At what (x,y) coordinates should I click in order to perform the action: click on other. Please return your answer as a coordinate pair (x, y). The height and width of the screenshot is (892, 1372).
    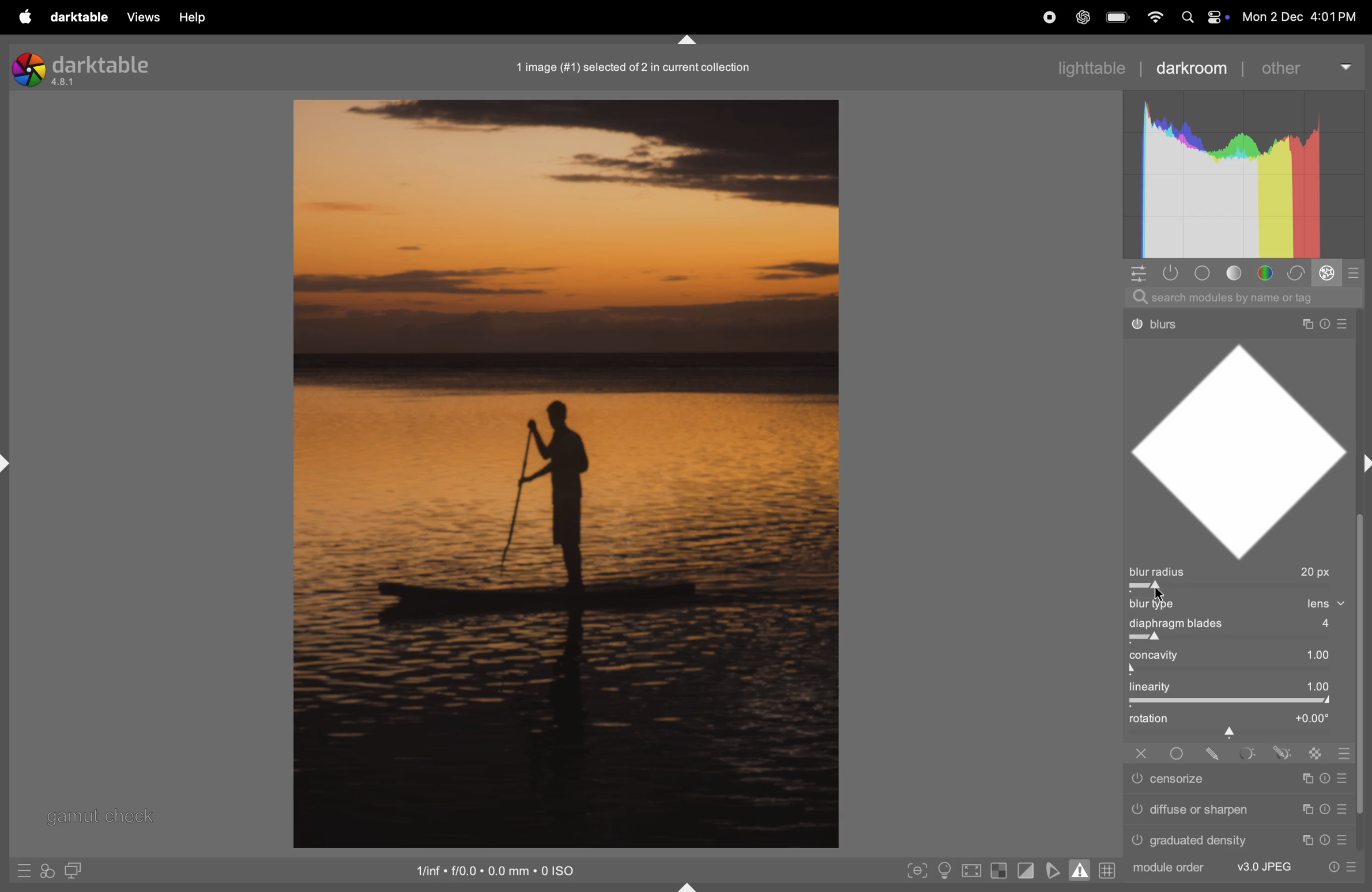
    Looking at the image, I should click on (1304, 66).